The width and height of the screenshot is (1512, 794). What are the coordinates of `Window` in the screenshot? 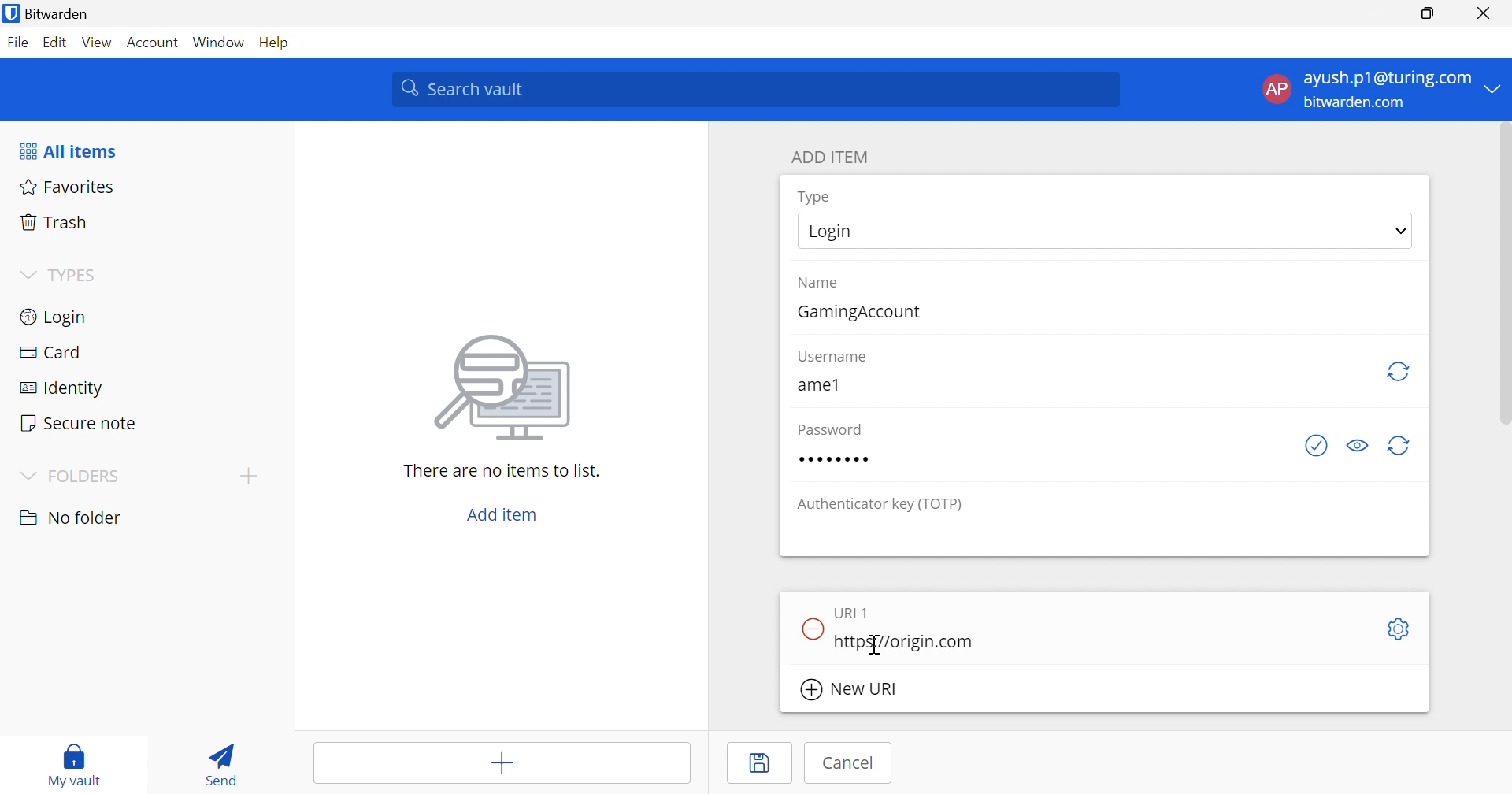 It's located at (218, 43).